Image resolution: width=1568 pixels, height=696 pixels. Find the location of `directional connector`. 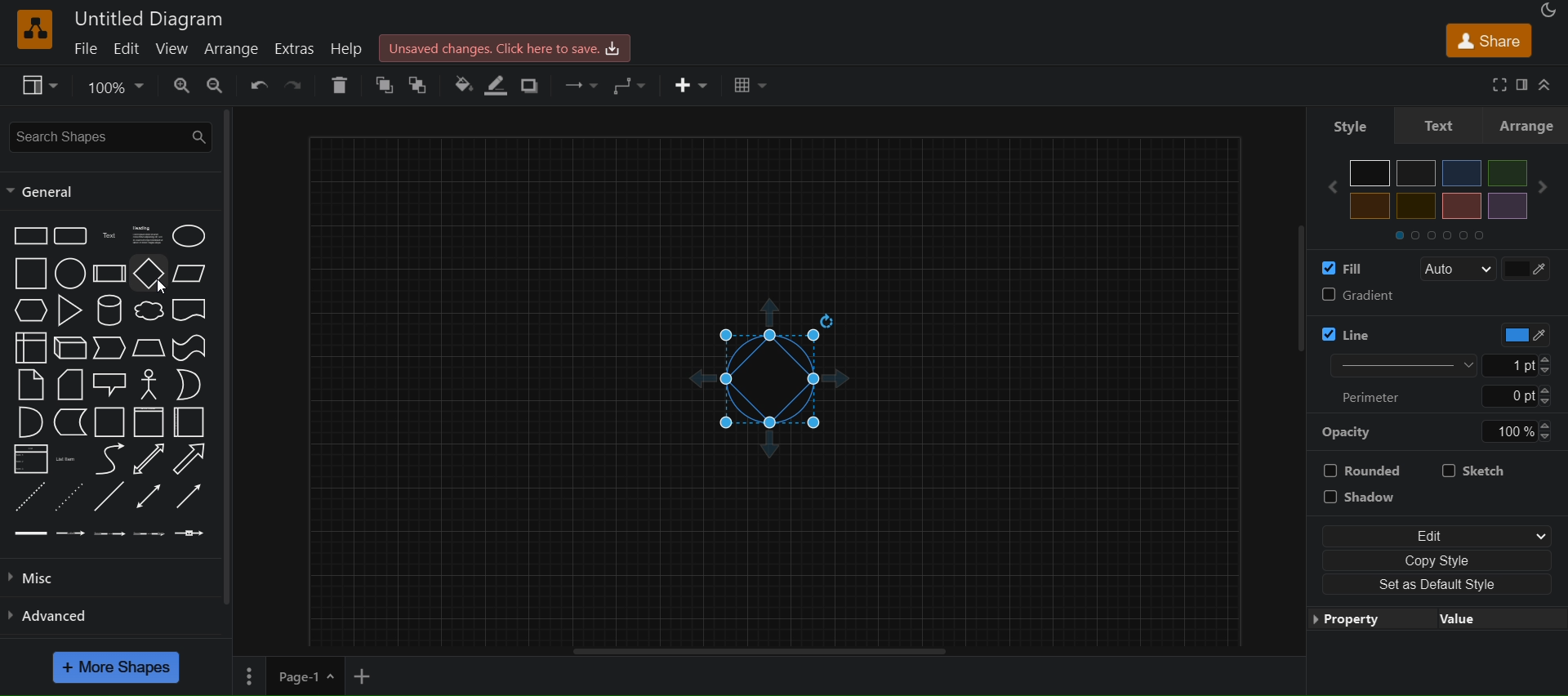

directional connector is located at coordinates (193, 497).